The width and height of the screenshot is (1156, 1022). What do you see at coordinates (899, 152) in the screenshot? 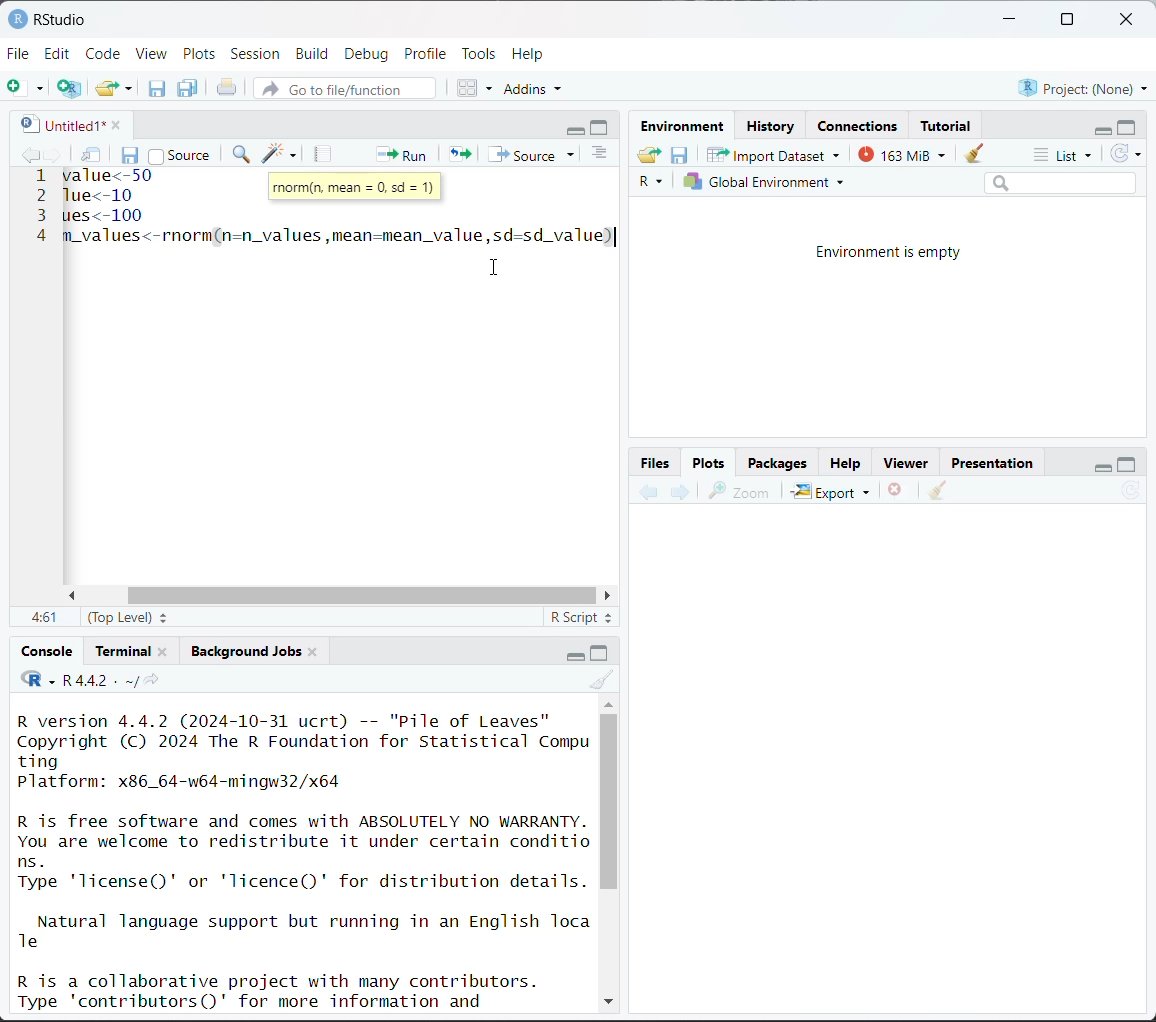
I see ` 163 MiB` at bounding box center [899, 152].